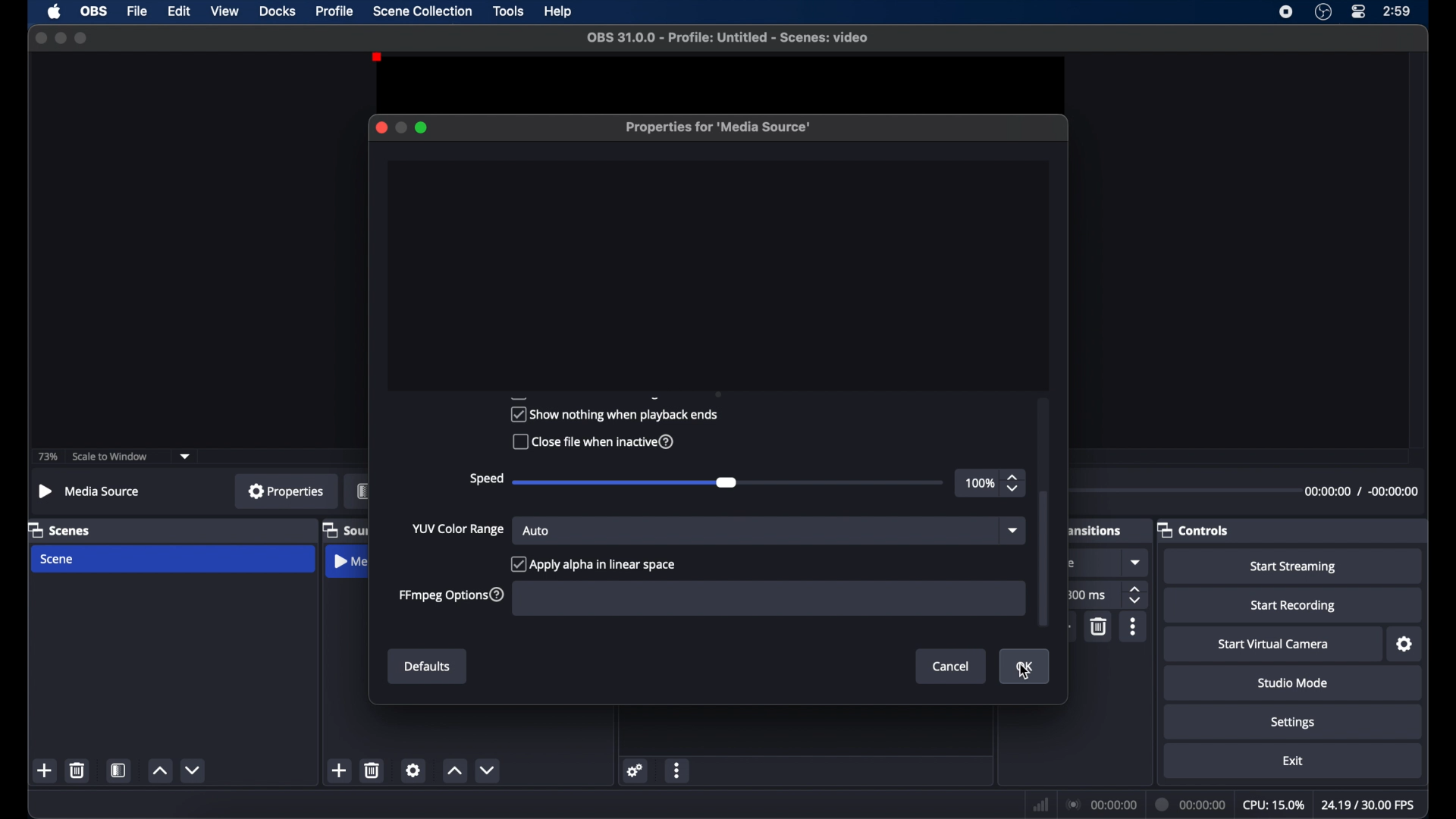 The image size is (1456, 819). Describe the element at coordinates (46, 457) in the screenshot. I see `73%` at that location.